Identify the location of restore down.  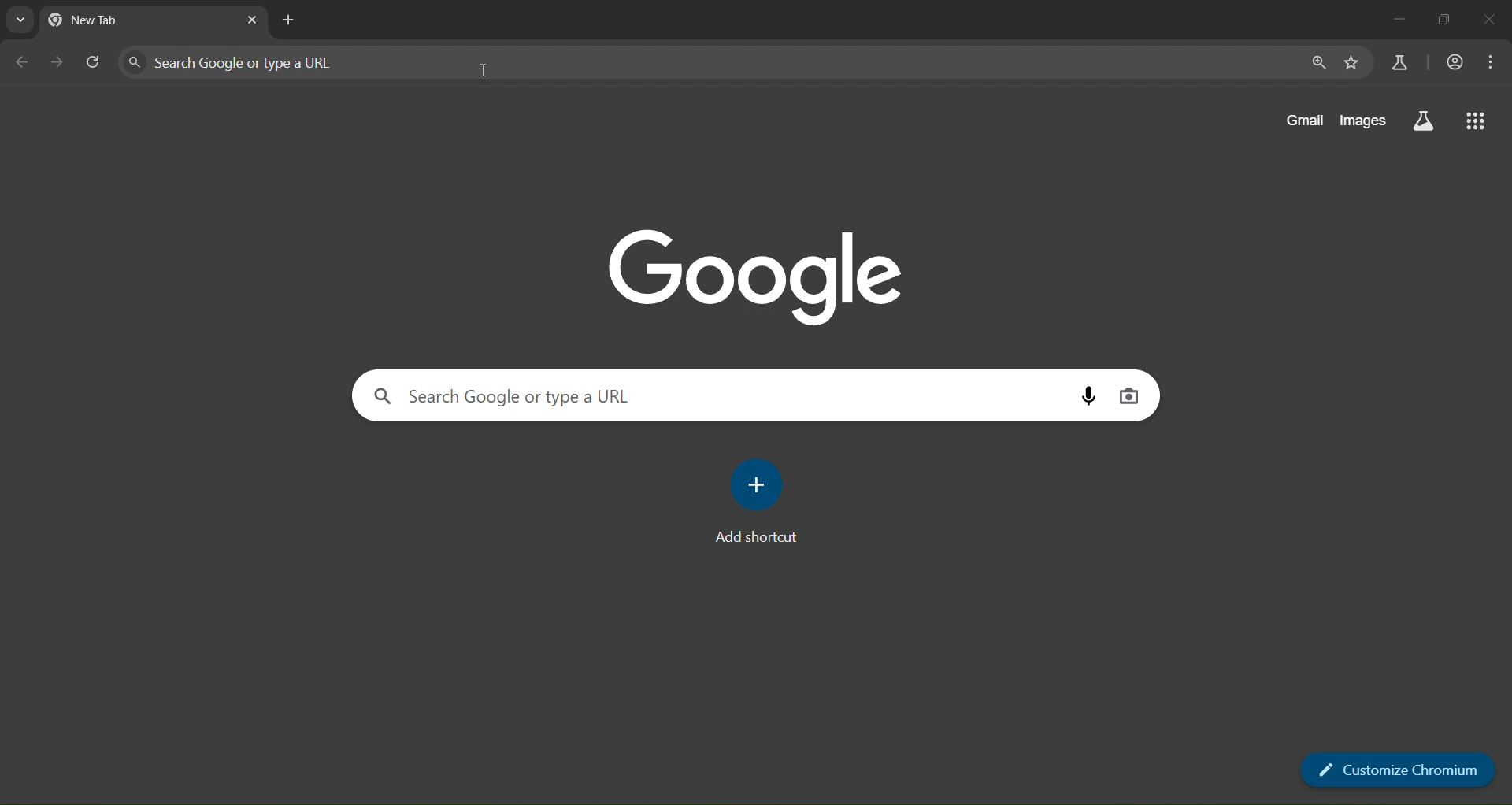
(1447, 20).